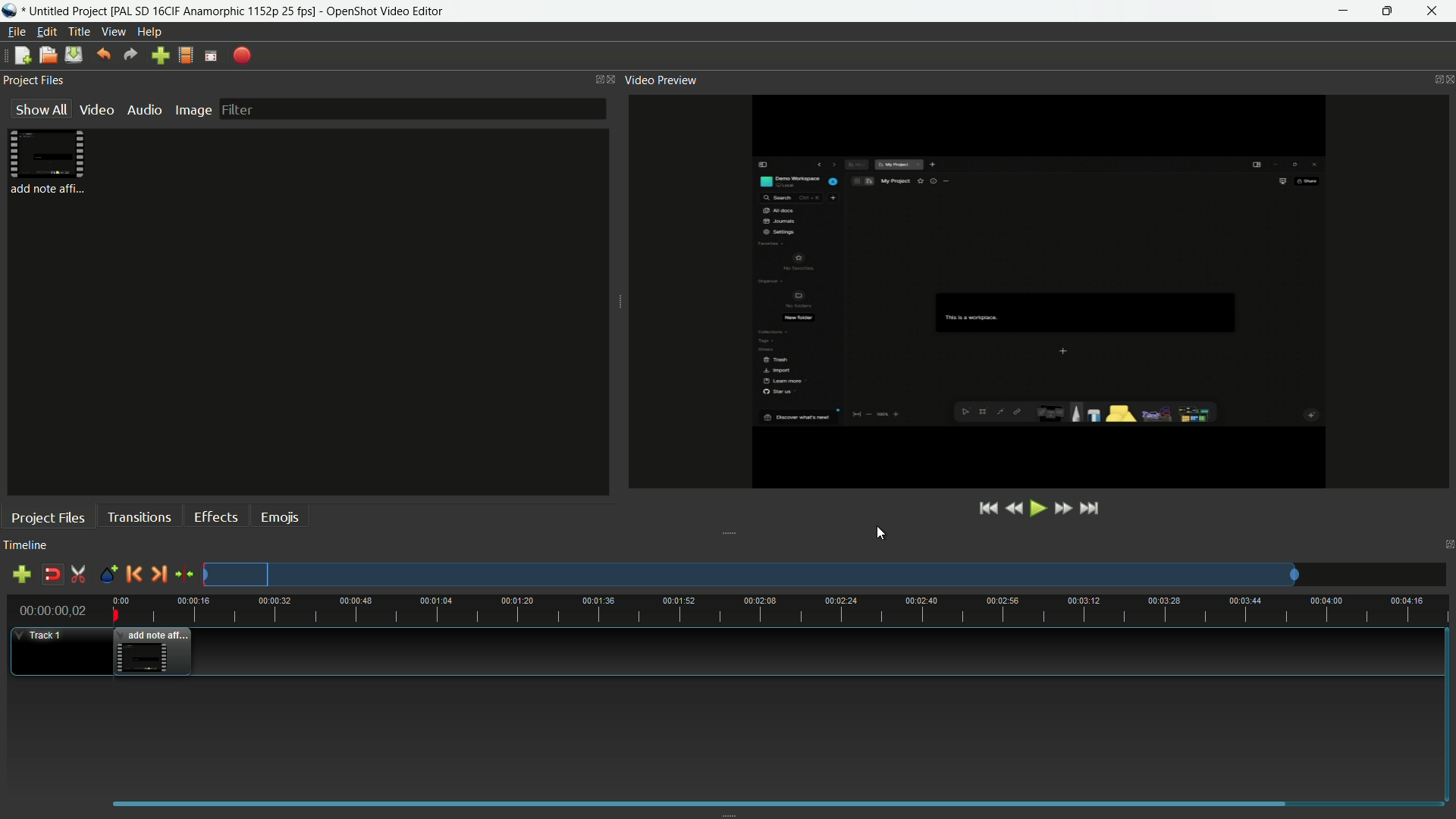 Image resolution: width=1456 pixels, height=819 pixels. Describe the element at coordinates (789, 610) in the screenshot. I see `time` at that location.